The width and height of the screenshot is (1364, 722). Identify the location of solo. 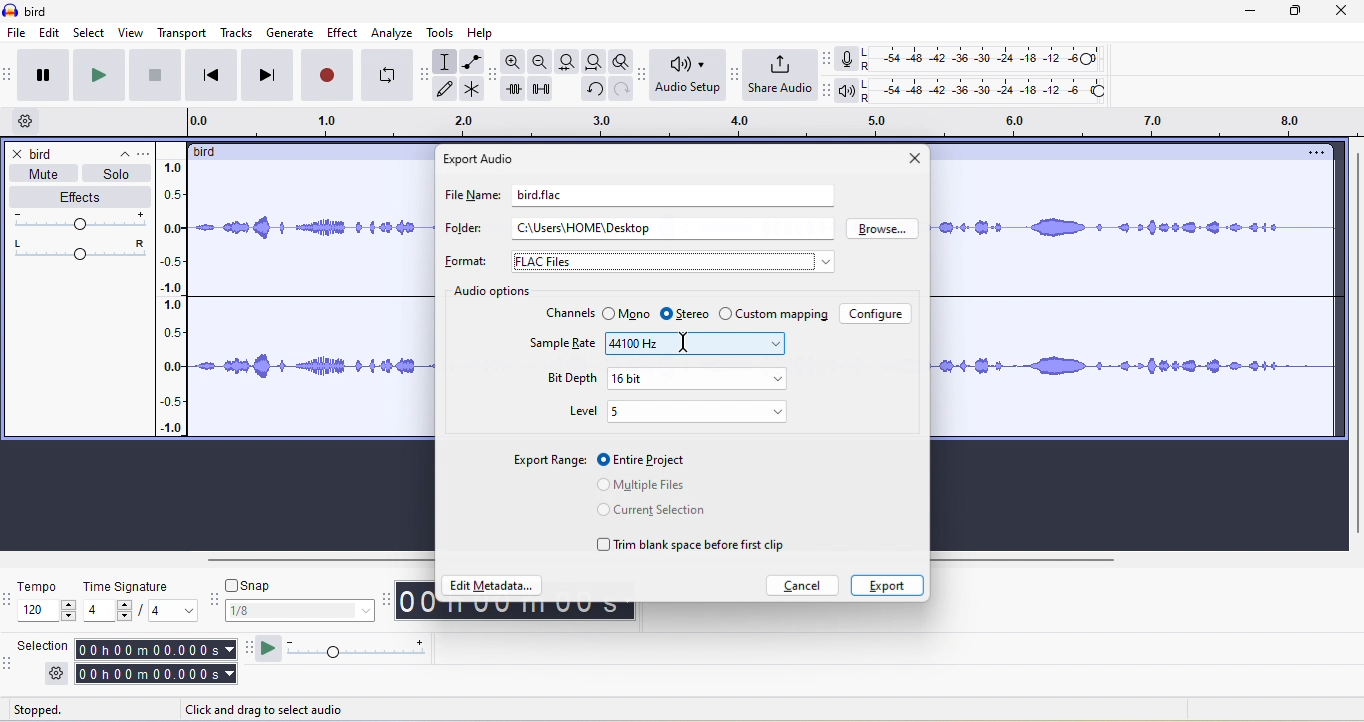
(117, 174).